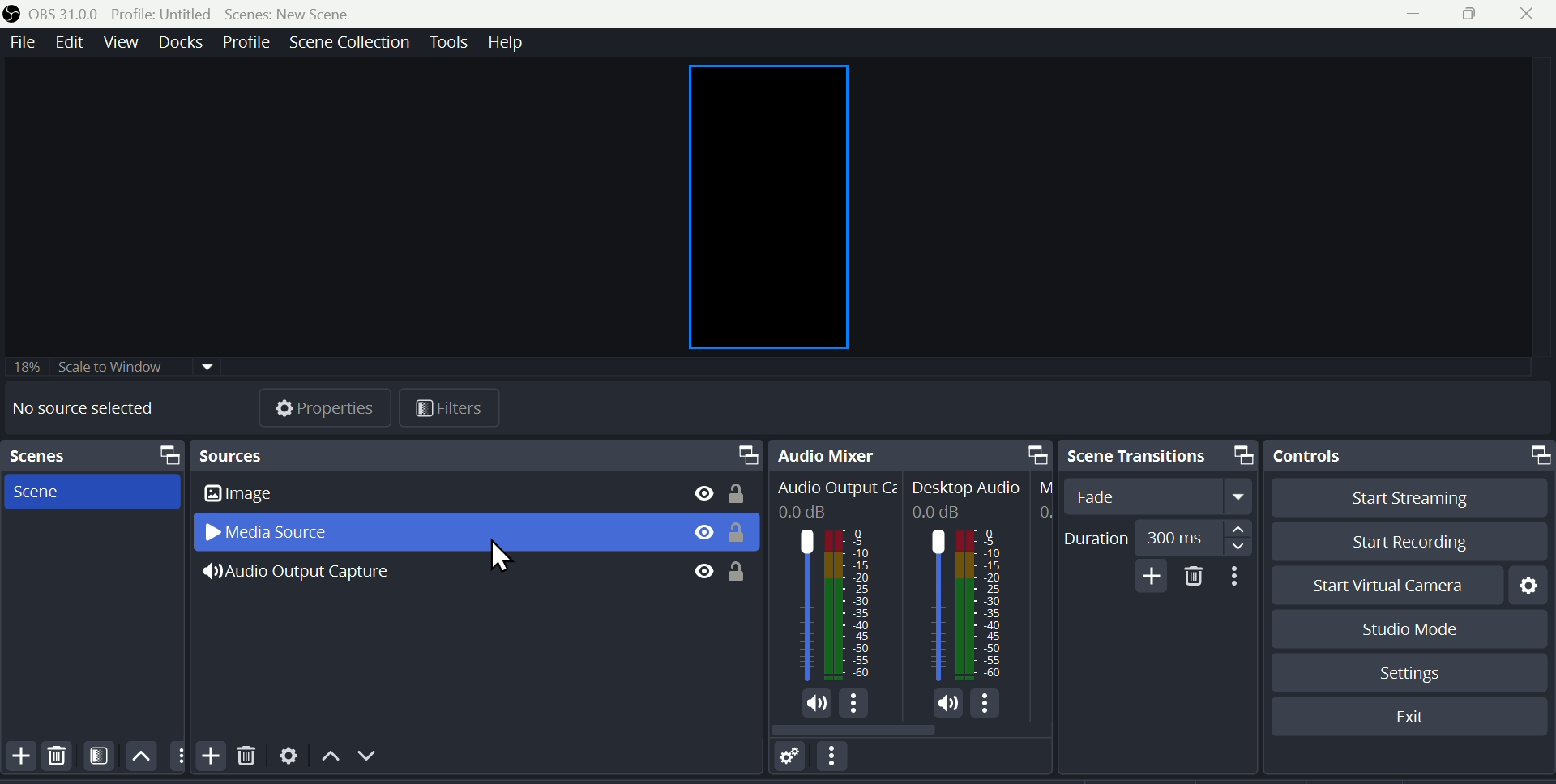  I want to click on Audio mixer, so click(914, 453).